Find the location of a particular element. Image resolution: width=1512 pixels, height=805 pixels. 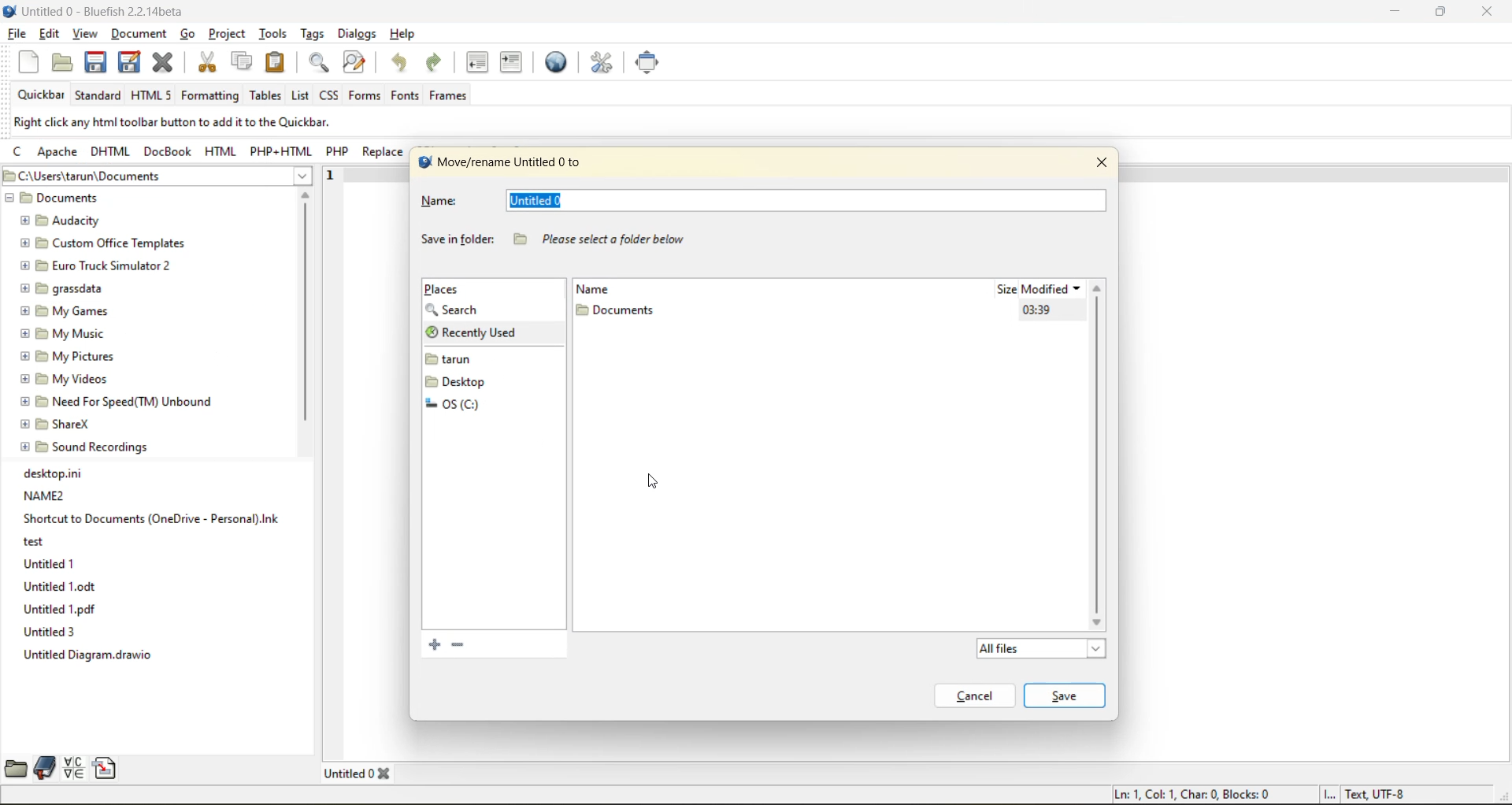

graph is located at coordinates (1089, 473).